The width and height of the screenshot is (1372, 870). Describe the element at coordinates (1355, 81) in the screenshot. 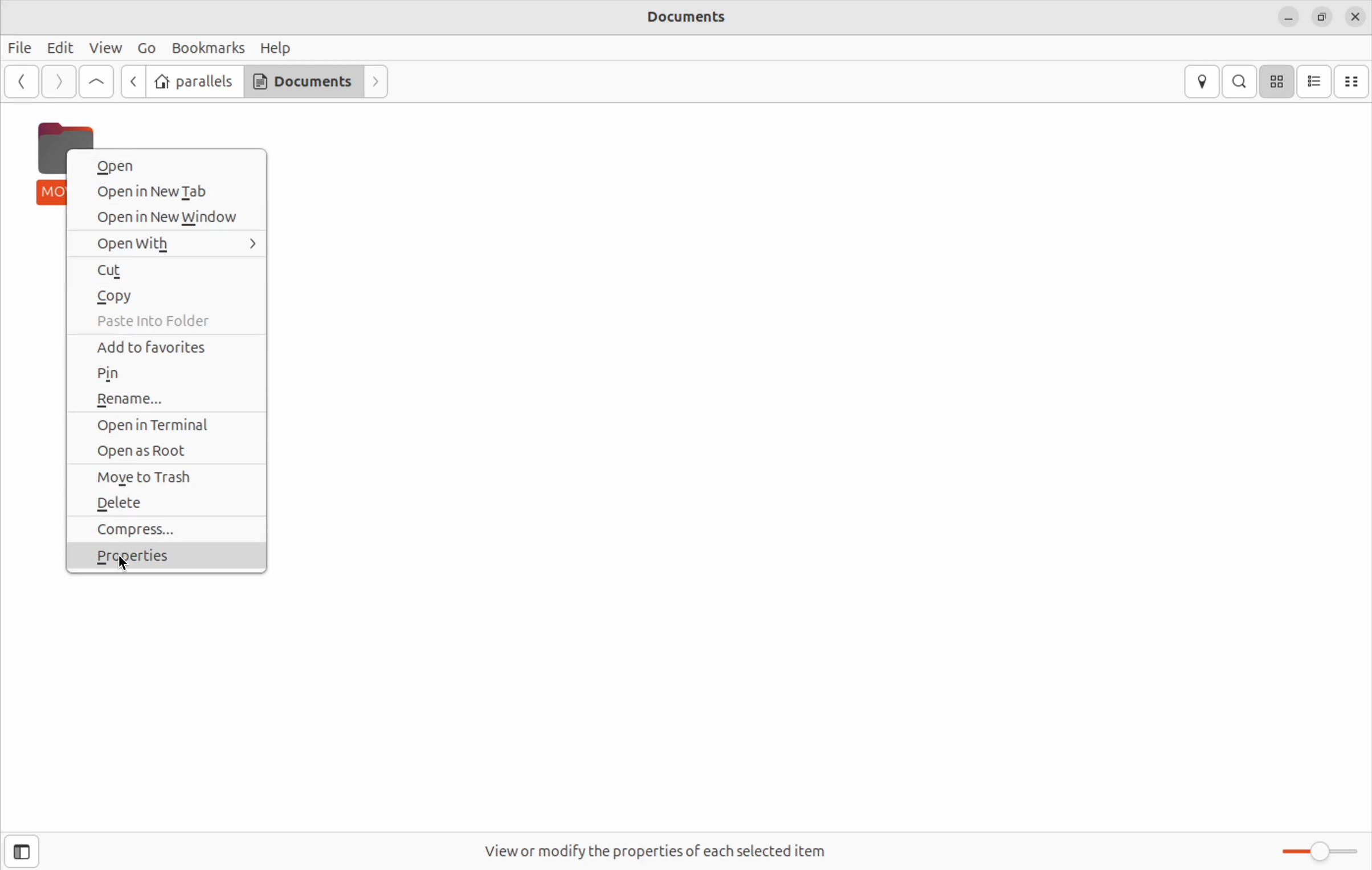

I see `Compact view` at that location.